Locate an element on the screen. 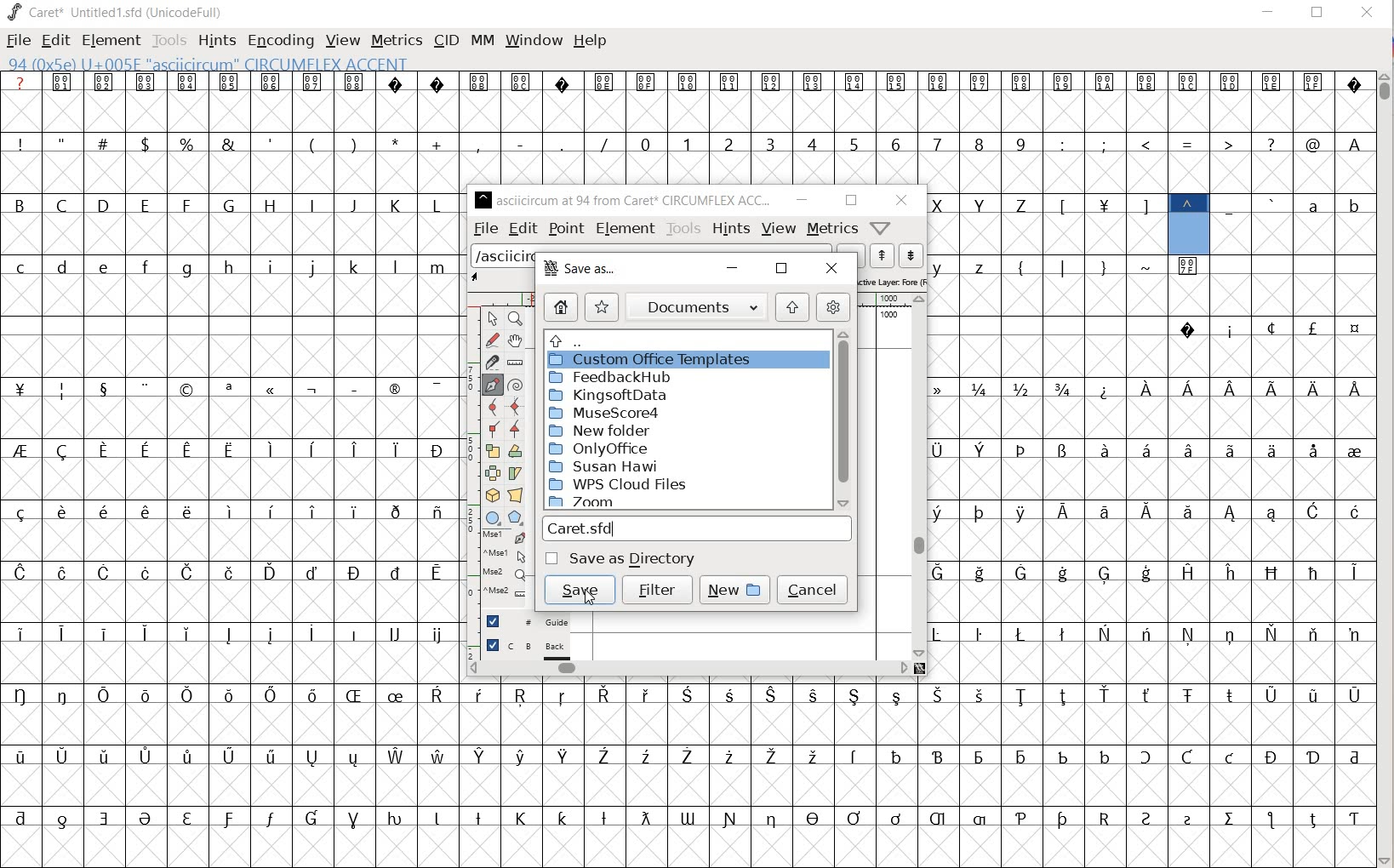  file is located at coordinates (485, 230).